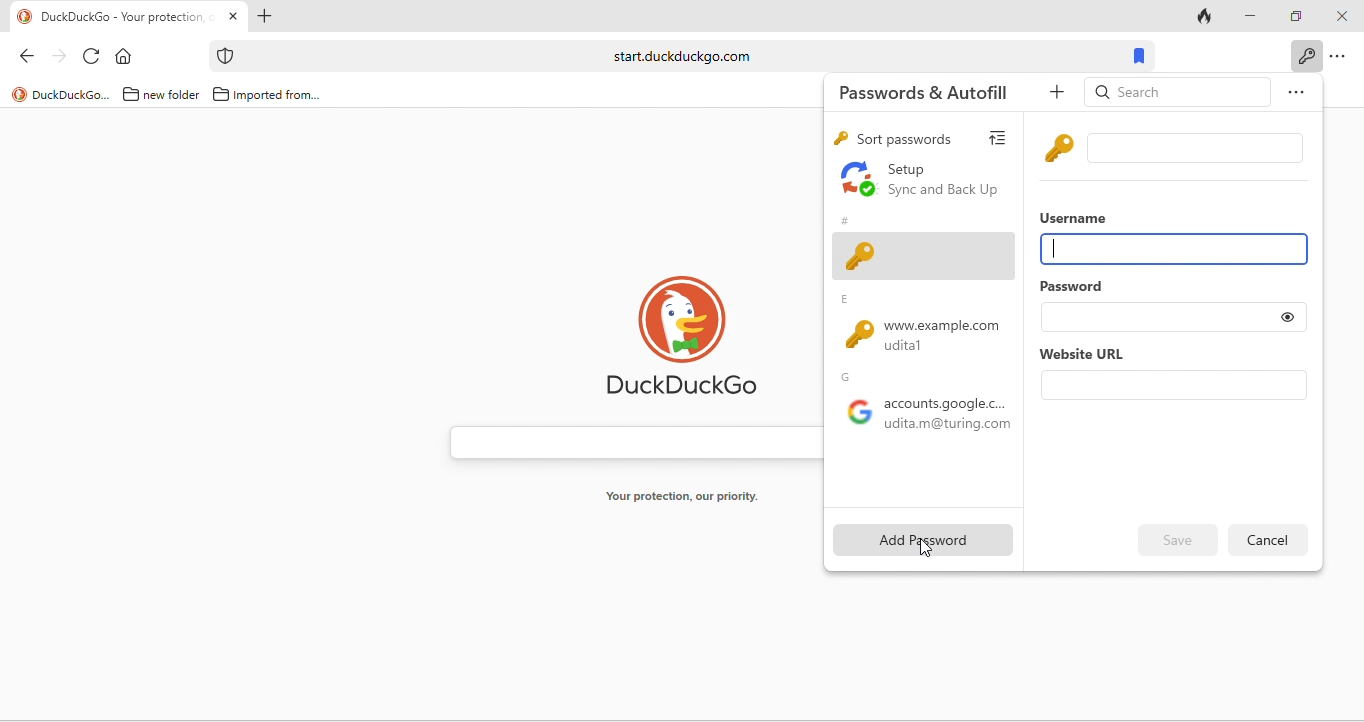 The image size is (1364, 722). What do you see at coordinates (173, 96) in the screenshot?
I see `new folder` at bounding box center [173, 96].